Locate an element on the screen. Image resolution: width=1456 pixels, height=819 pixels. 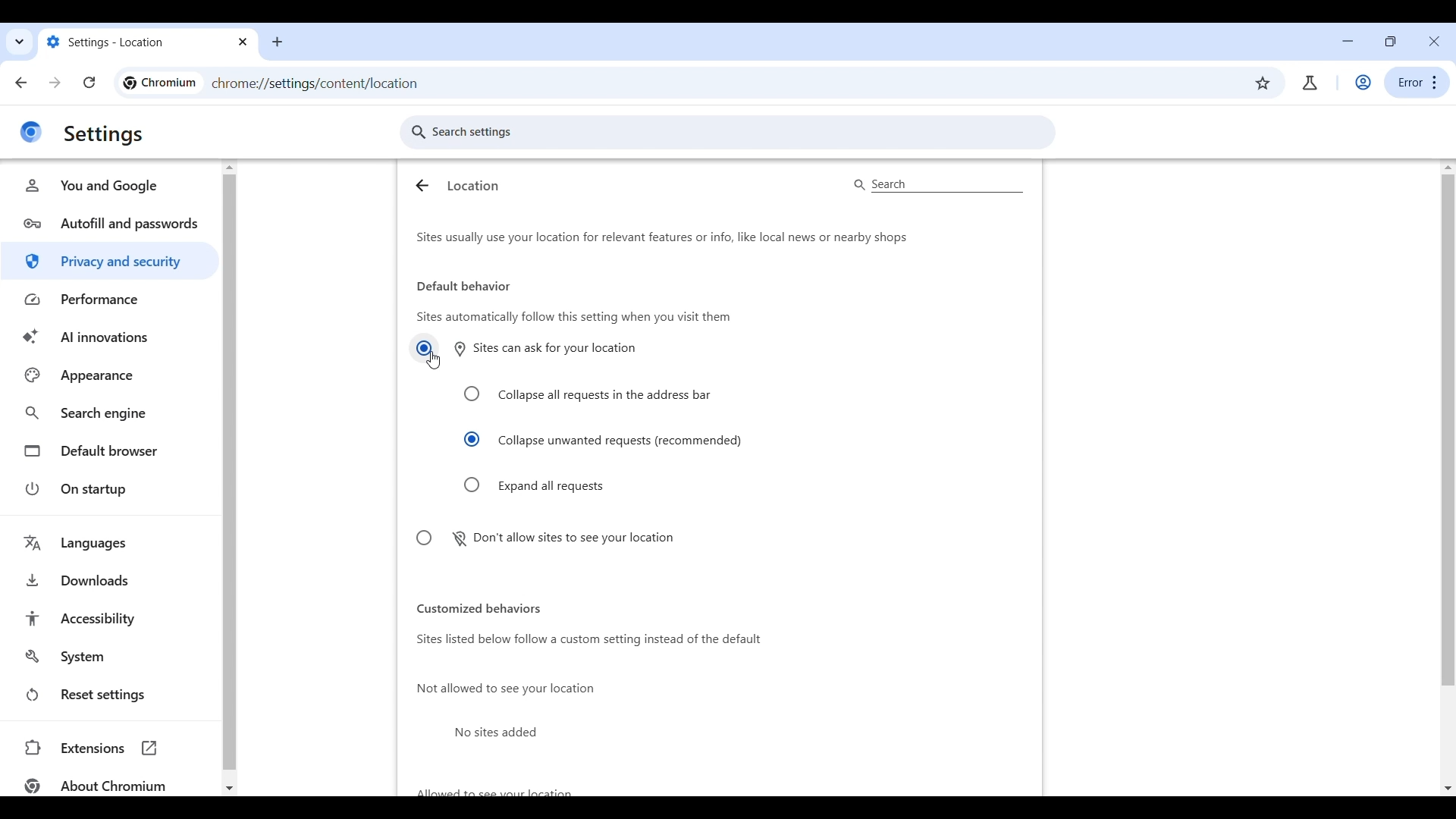
chromium  is located at coordinates (158, 83).